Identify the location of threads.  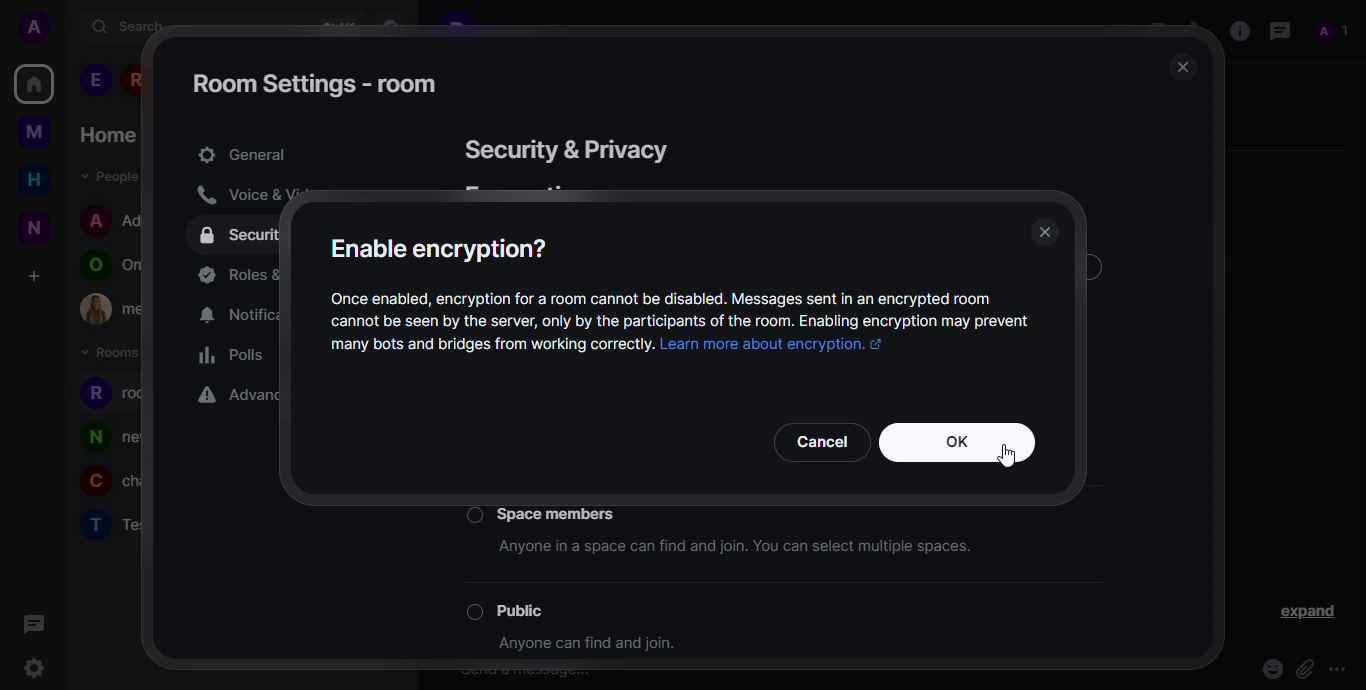
(1277, 30).